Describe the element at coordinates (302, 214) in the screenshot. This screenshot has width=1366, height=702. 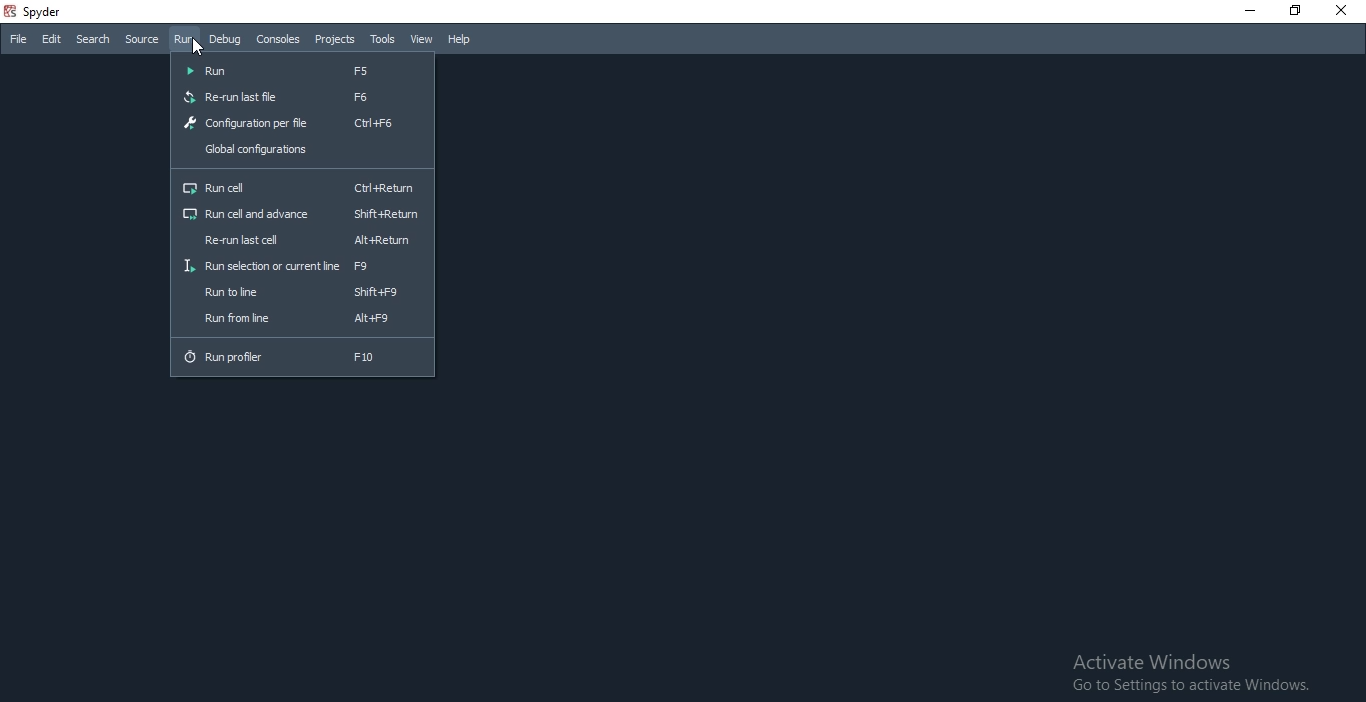
I see `run cell and advance` at that location.